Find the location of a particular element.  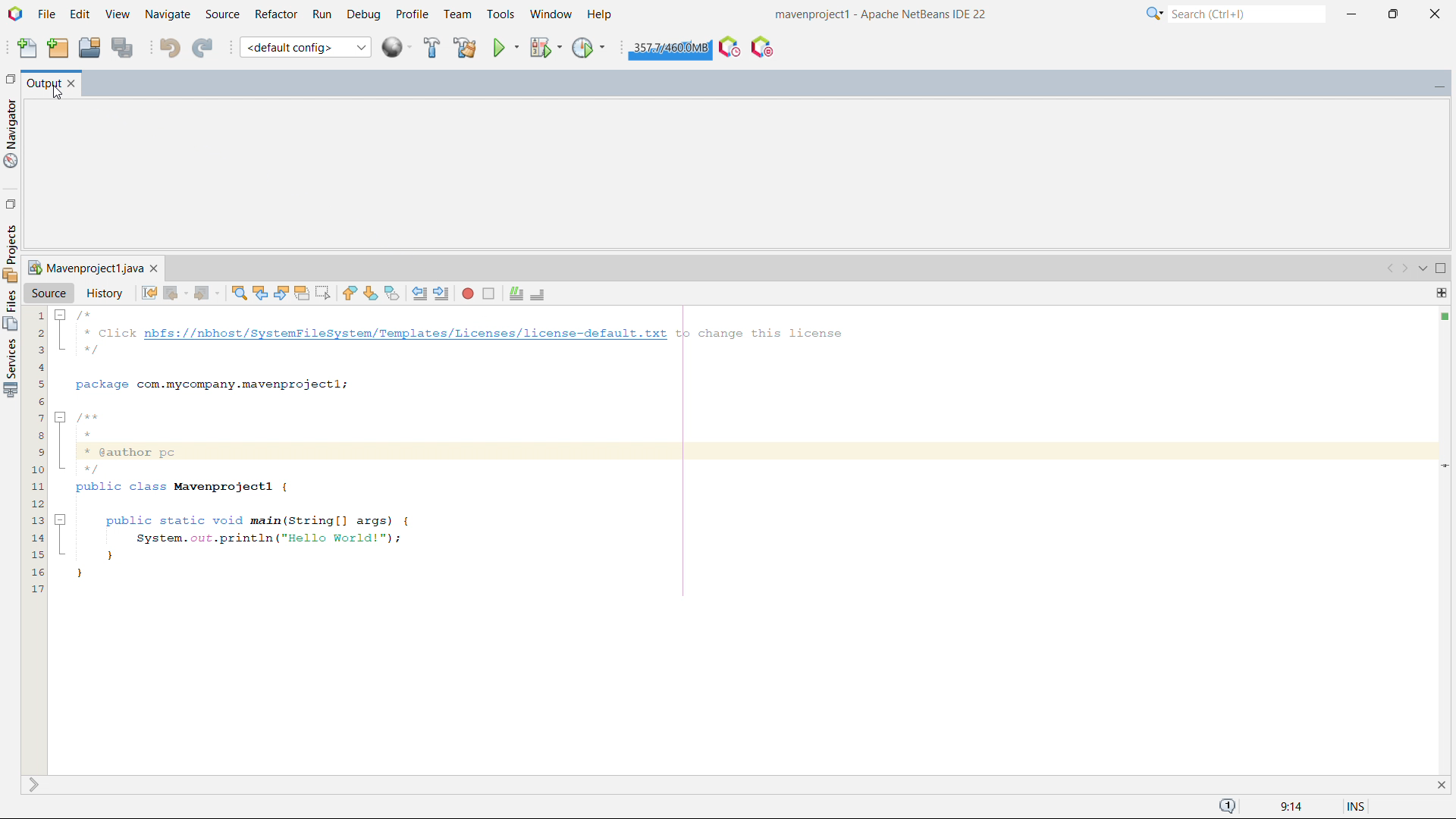

set project configuration is located at coordinates (305, 46).